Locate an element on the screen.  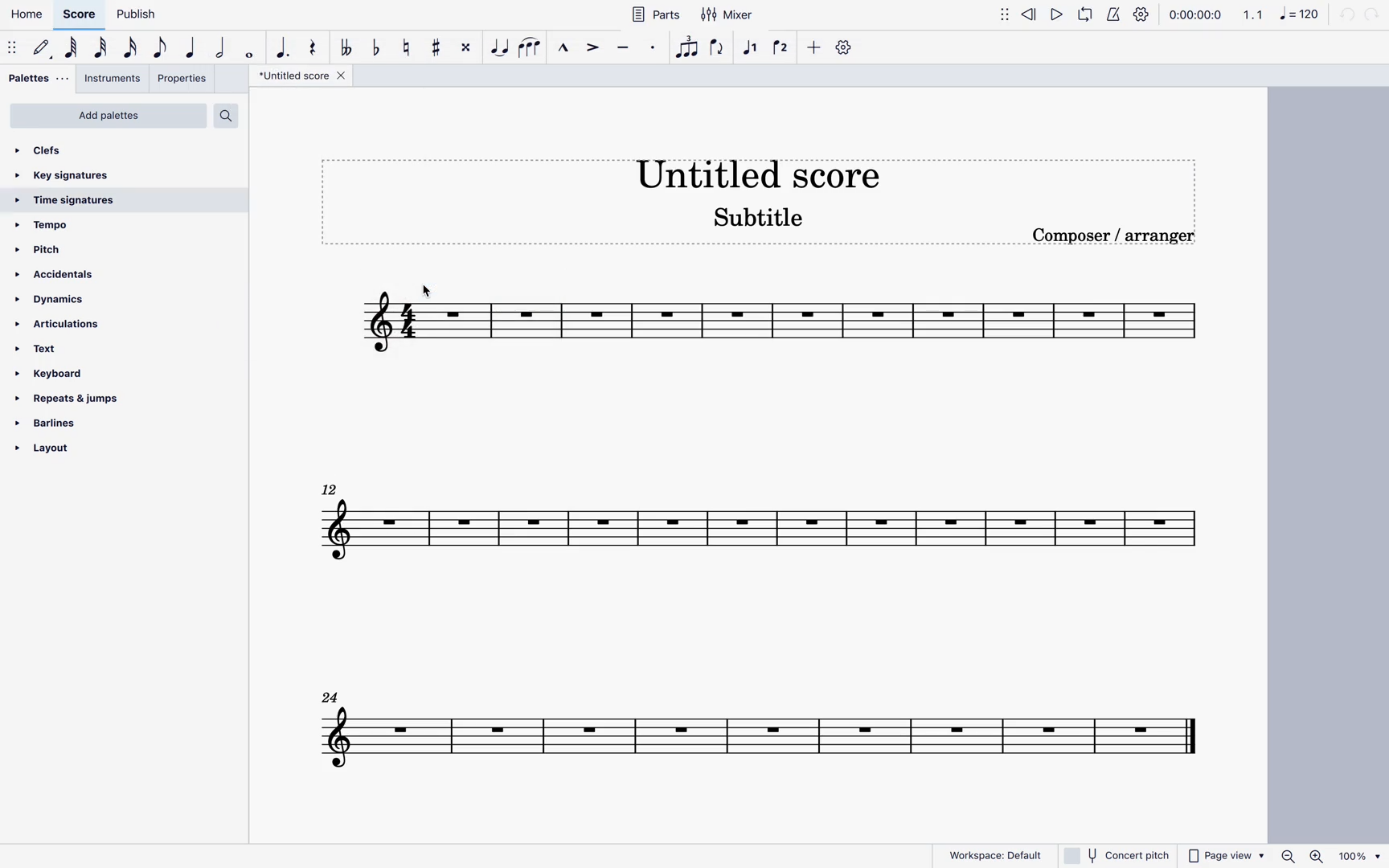
page view is located at coordinates (1223, 856).